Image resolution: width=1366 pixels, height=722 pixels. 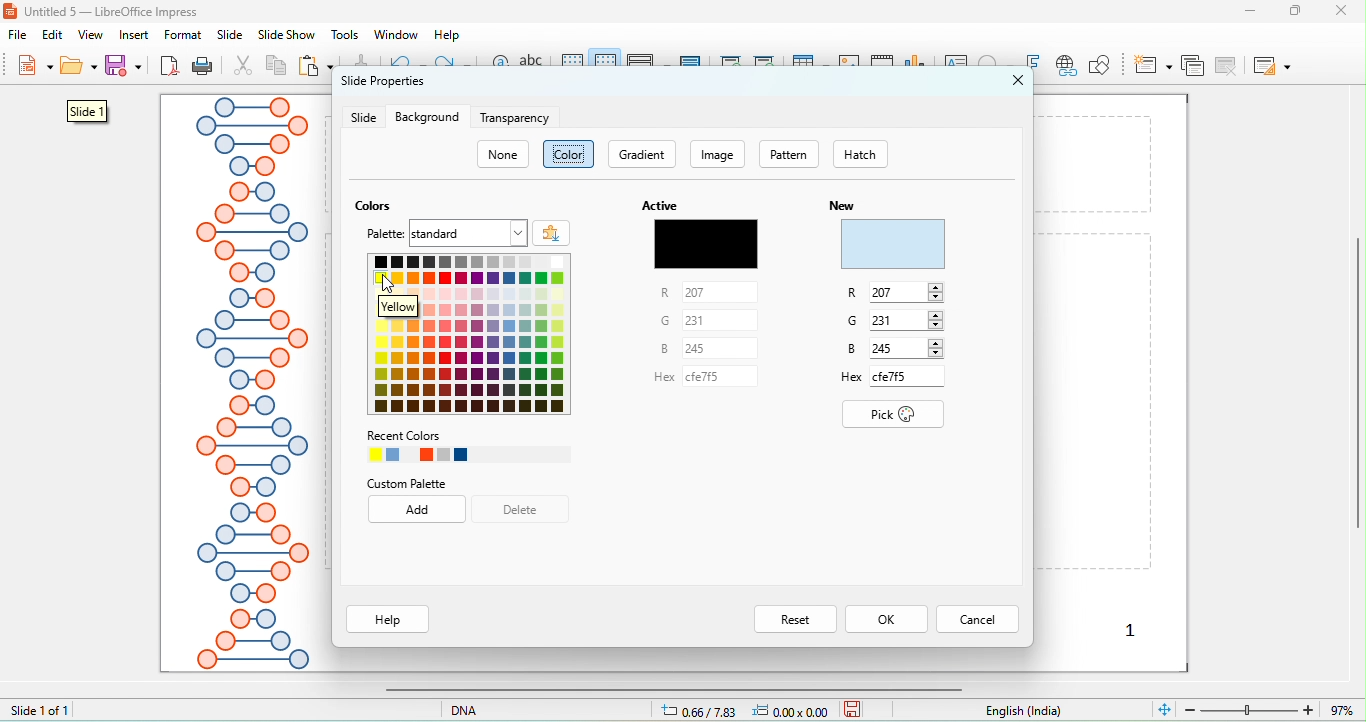 I want to click on display grid, so click(x=573, y=64).